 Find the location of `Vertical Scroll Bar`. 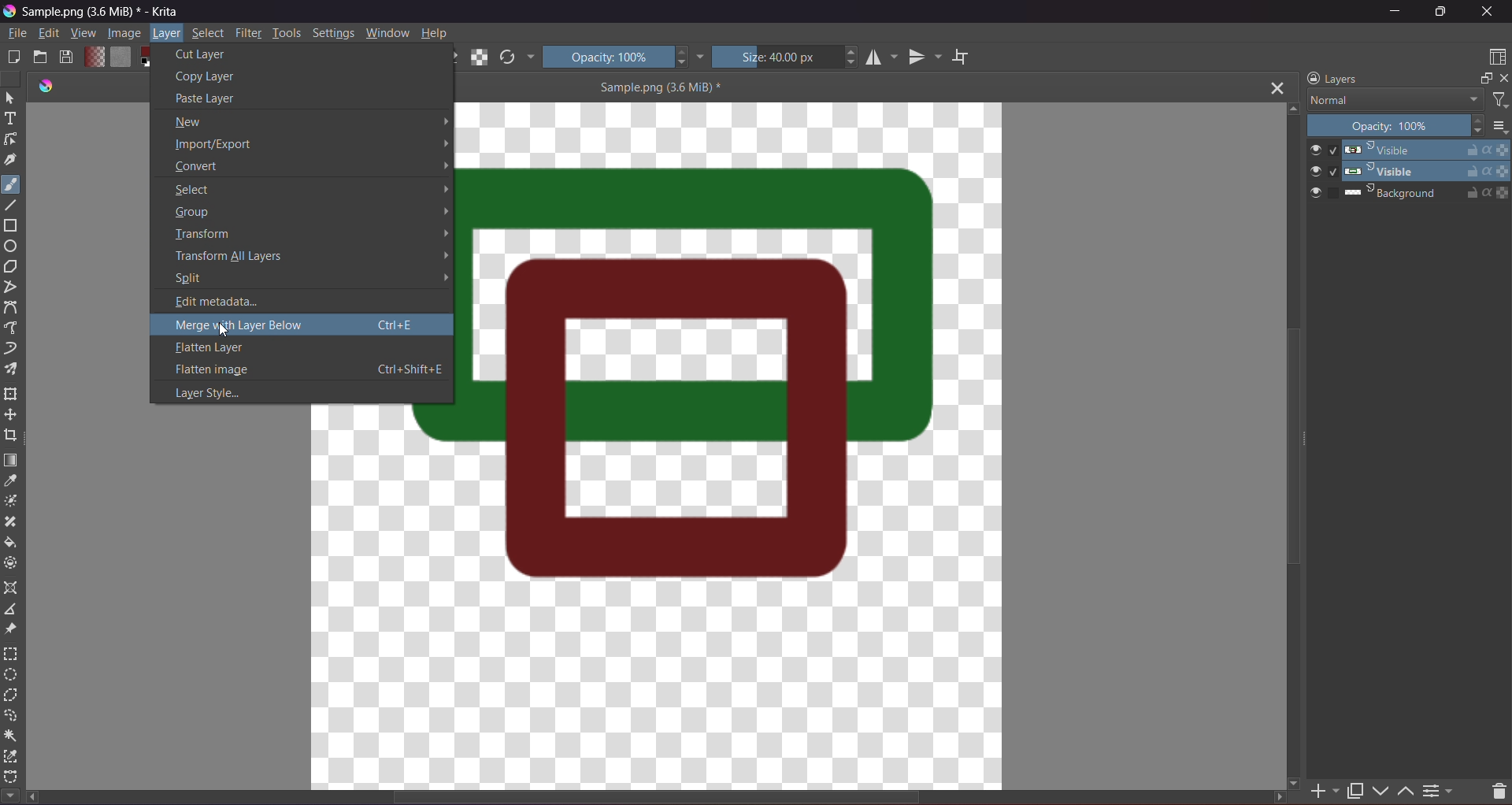

Vertical Scroll Bar is located at coordinates (1294, 448).